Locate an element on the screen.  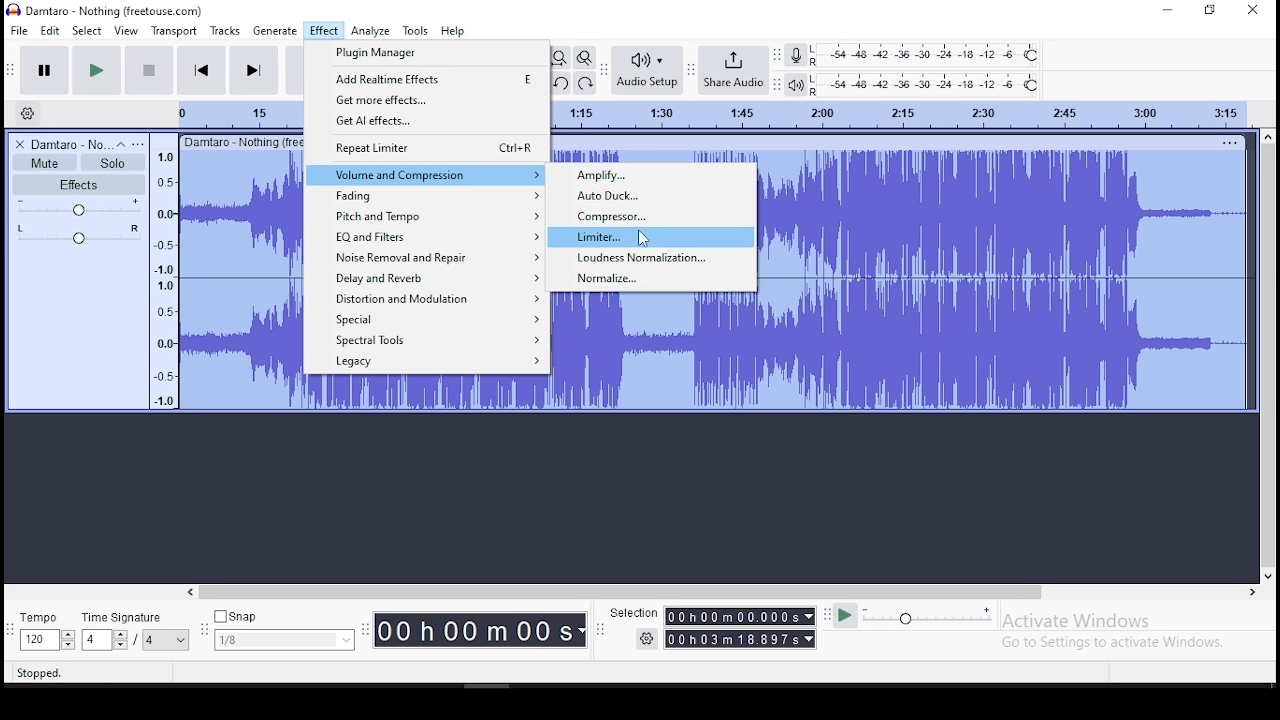
analyze is located at coordinates (370, 31).